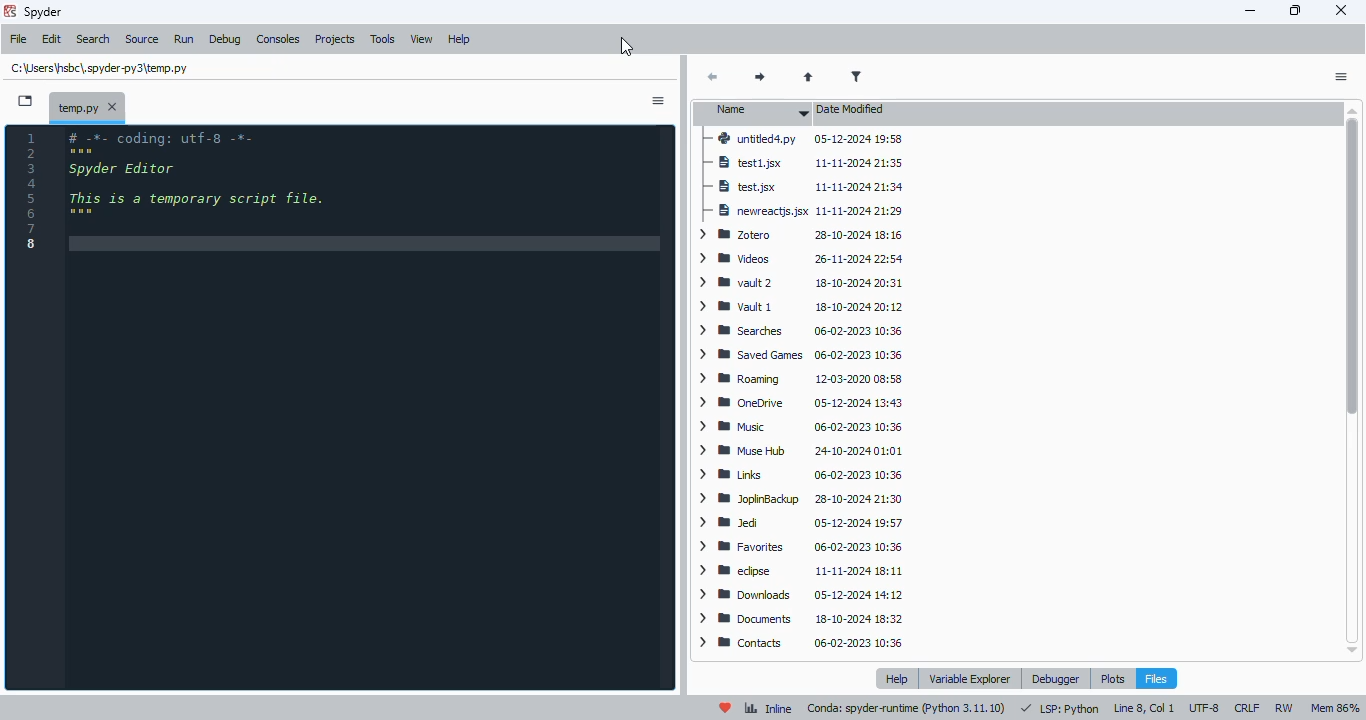  What do you see at coordinates (20, 40) in the screenshot?
I see `file` at bounding box center [20, 40].